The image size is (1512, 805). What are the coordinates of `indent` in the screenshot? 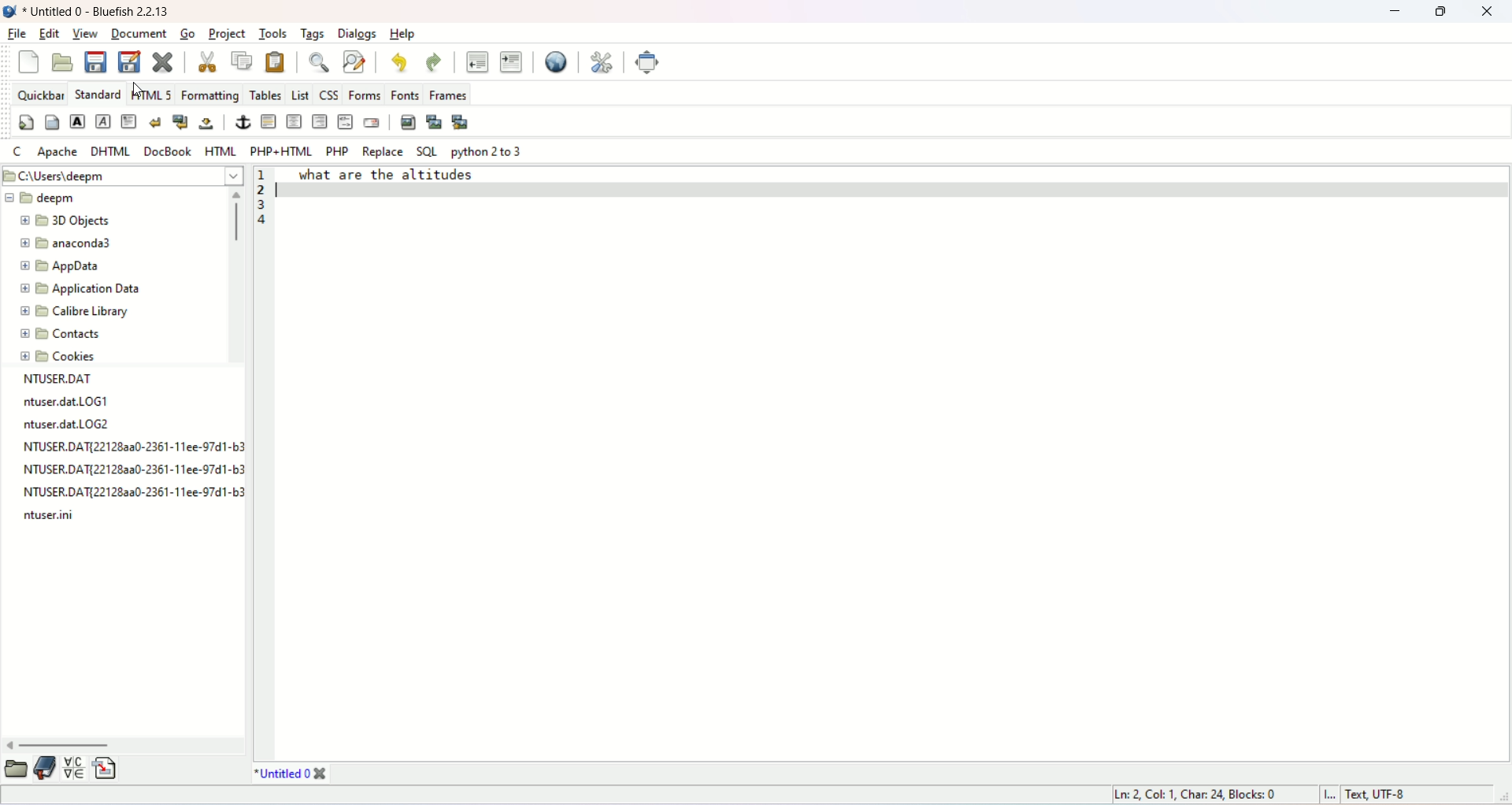 It's located at (510, 61).